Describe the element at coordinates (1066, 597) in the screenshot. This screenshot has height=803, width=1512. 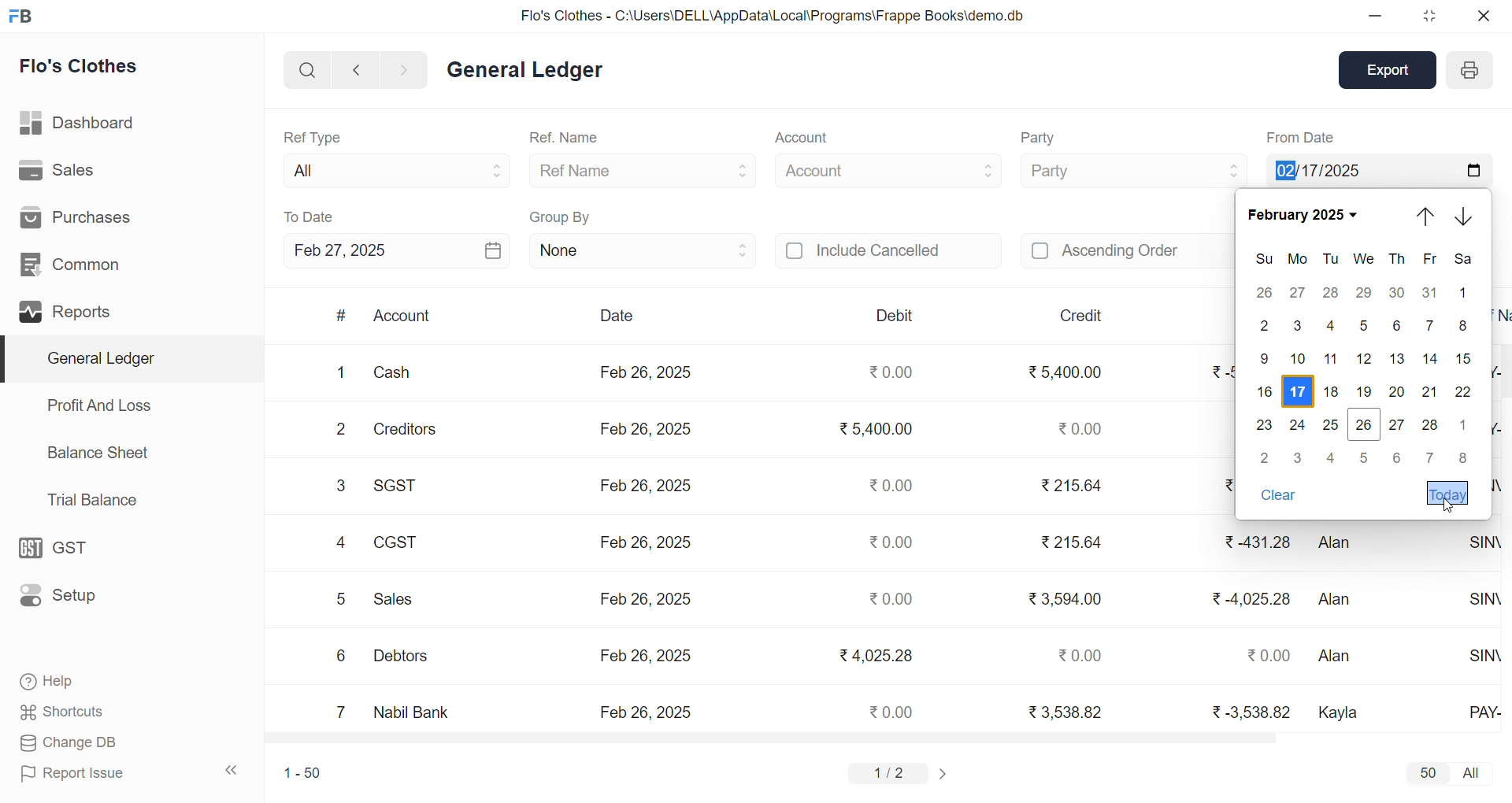
I see `₹ 3,594.00` at that location.